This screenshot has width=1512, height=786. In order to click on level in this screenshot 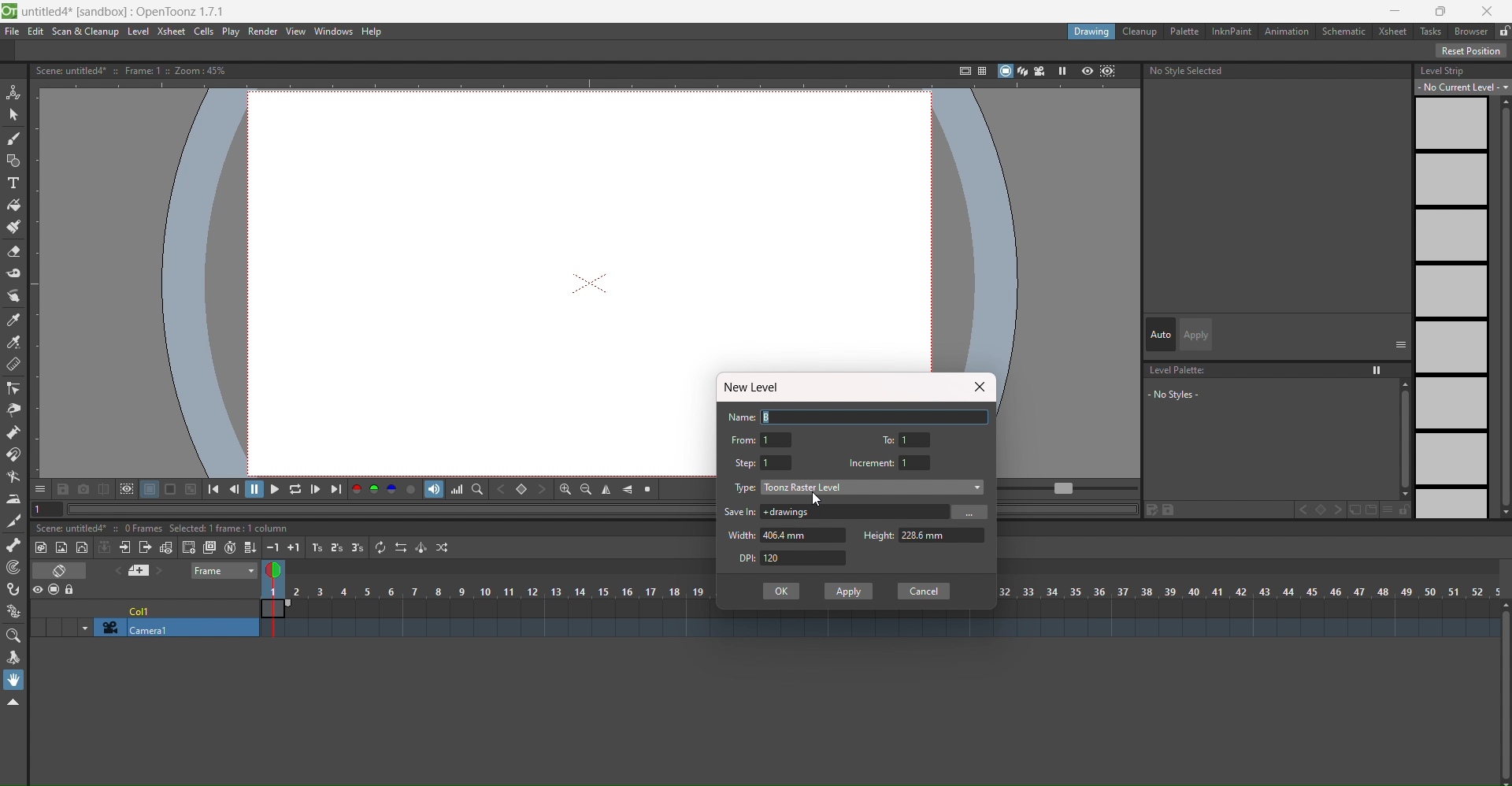, I will do `click(138, 32)`.